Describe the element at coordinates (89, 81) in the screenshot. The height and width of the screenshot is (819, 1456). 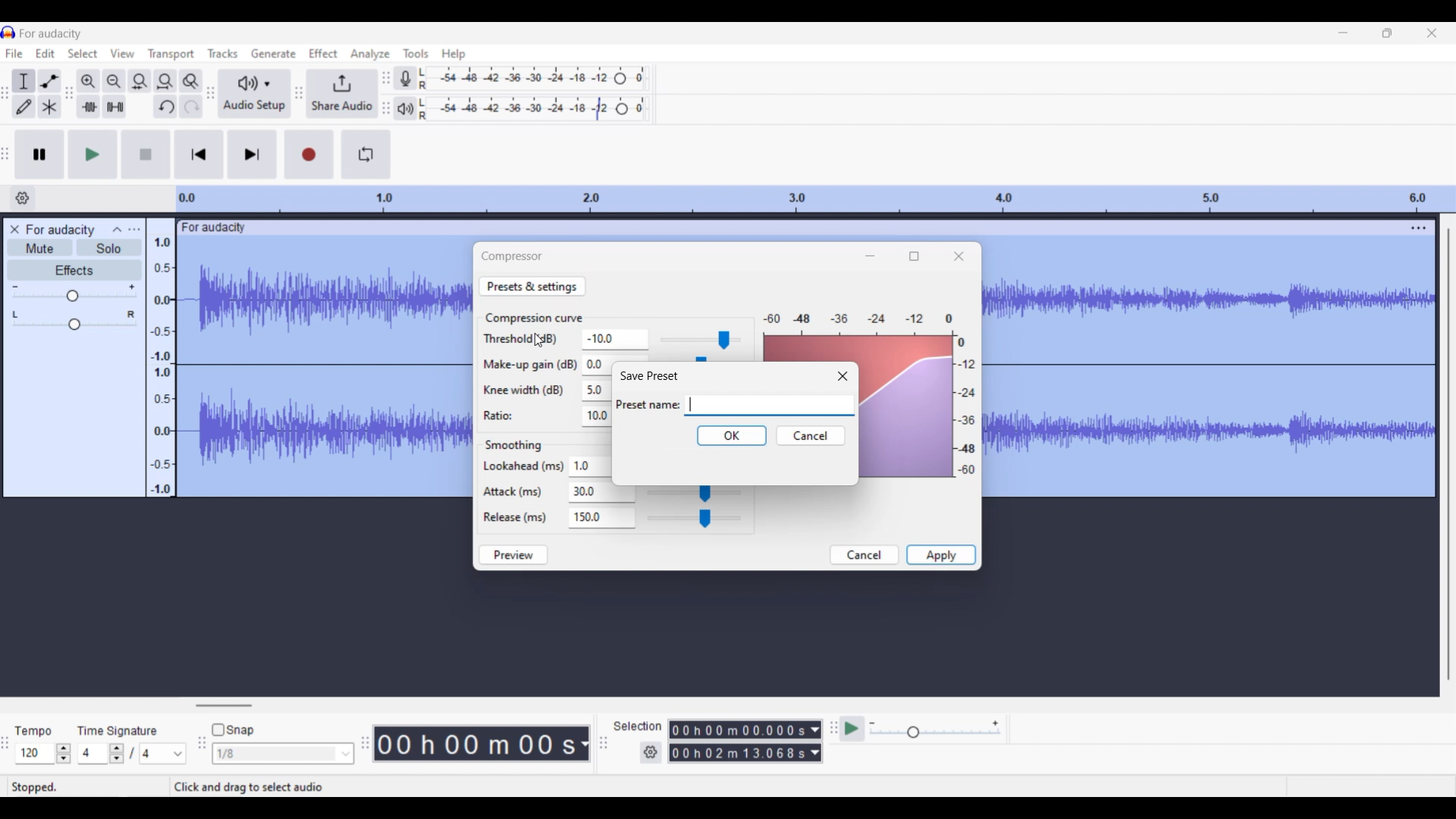
I see `Zoom in` at that location.